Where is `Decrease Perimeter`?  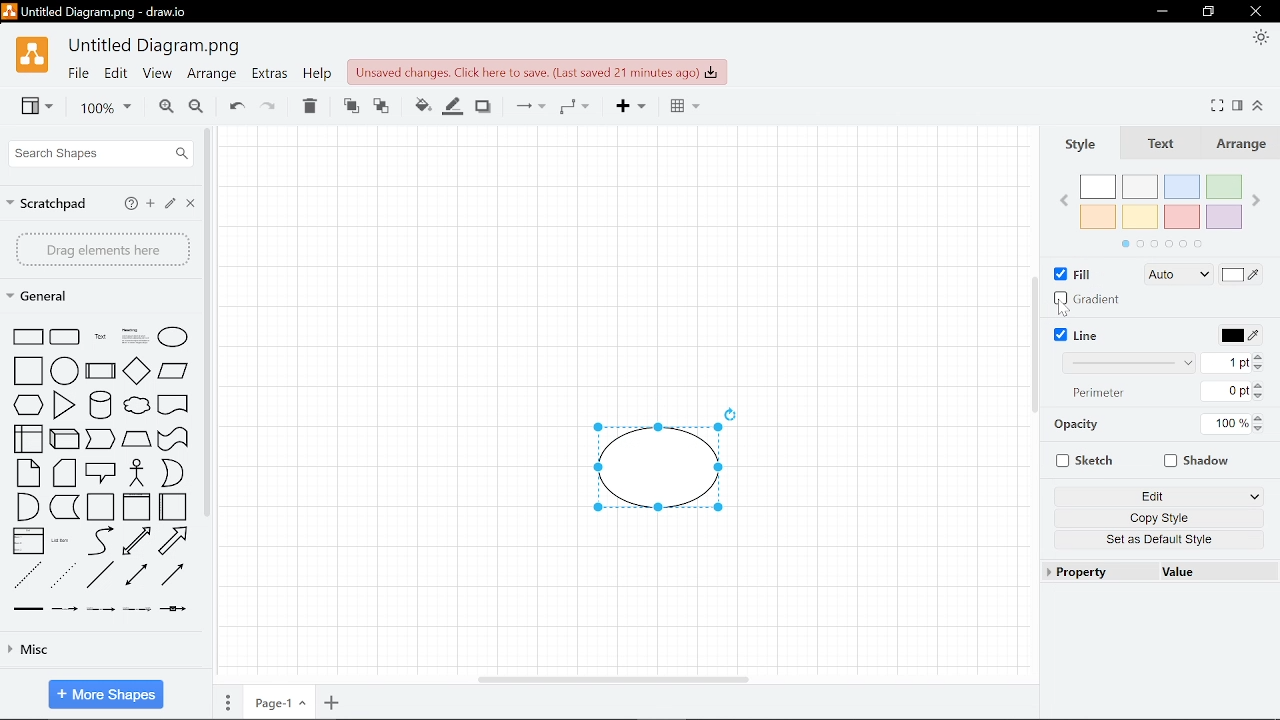
Decrease Perimeter is located at coordinates (1262, 397).